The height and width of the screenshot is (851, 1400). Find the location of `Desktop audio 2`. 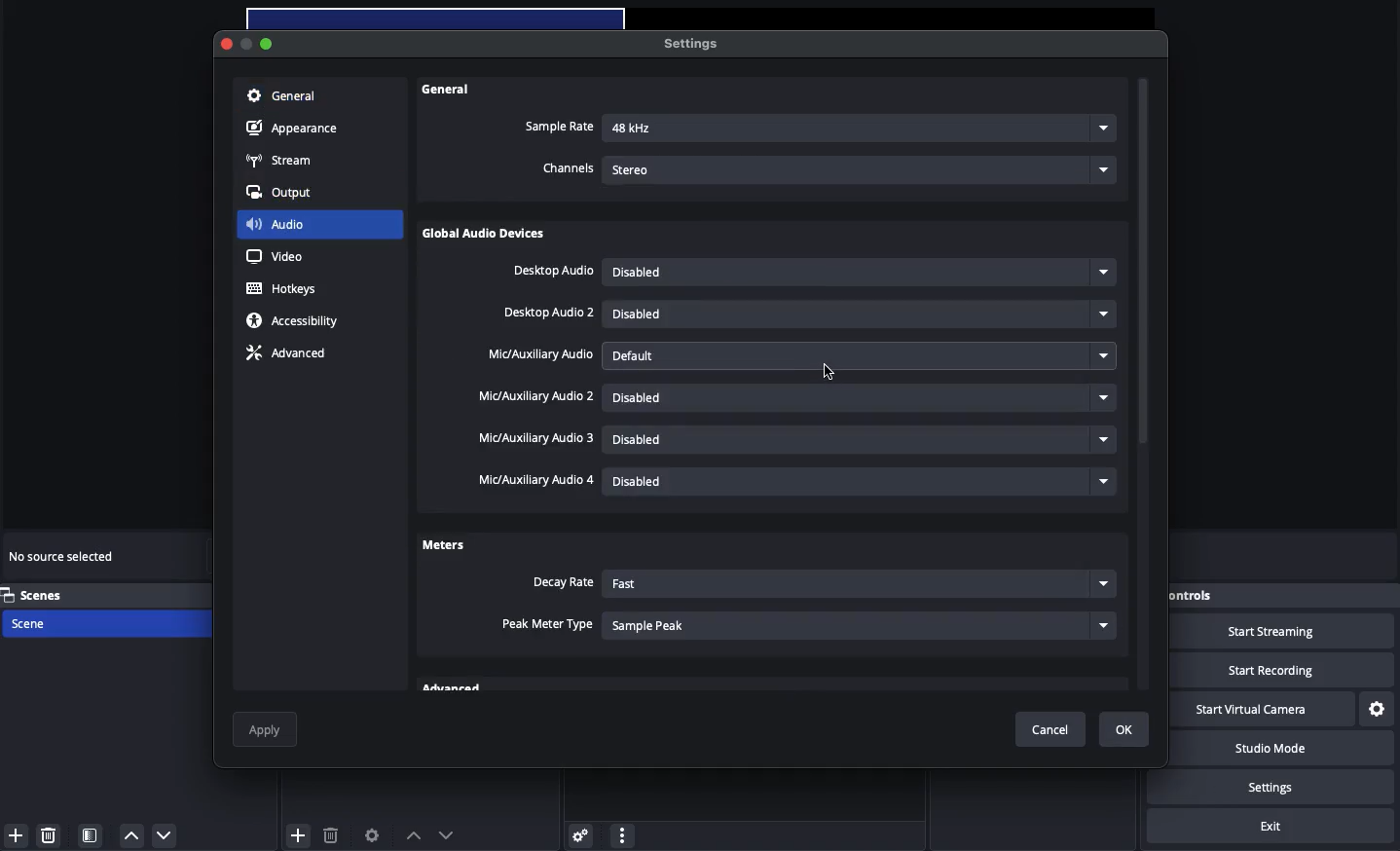

Desktop audio 2 is located at coordinates (550, 314).